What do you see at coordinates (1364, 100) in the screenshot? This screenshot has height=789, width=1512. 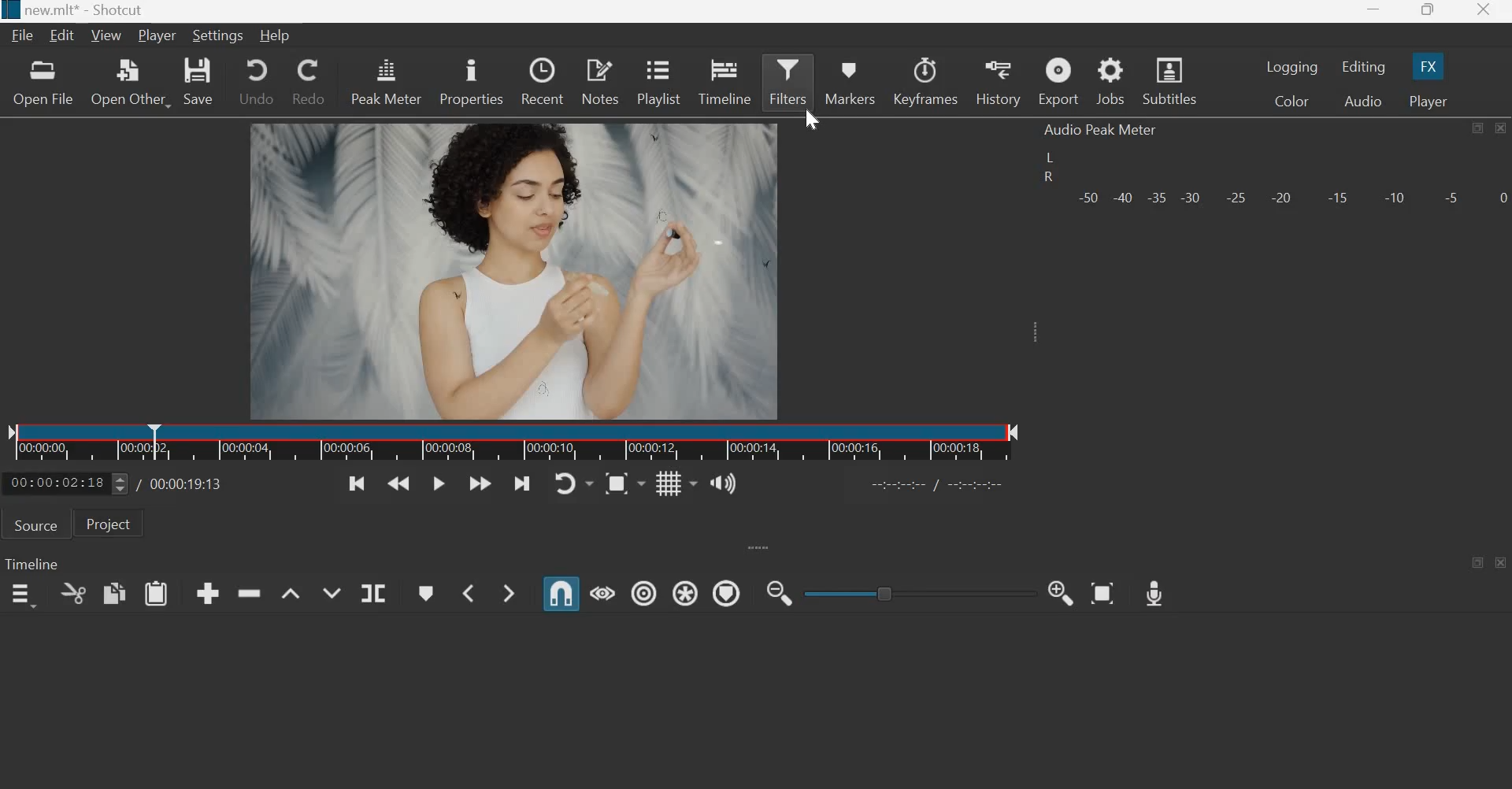 I see `Audio` at bounding box center [1364, 100].